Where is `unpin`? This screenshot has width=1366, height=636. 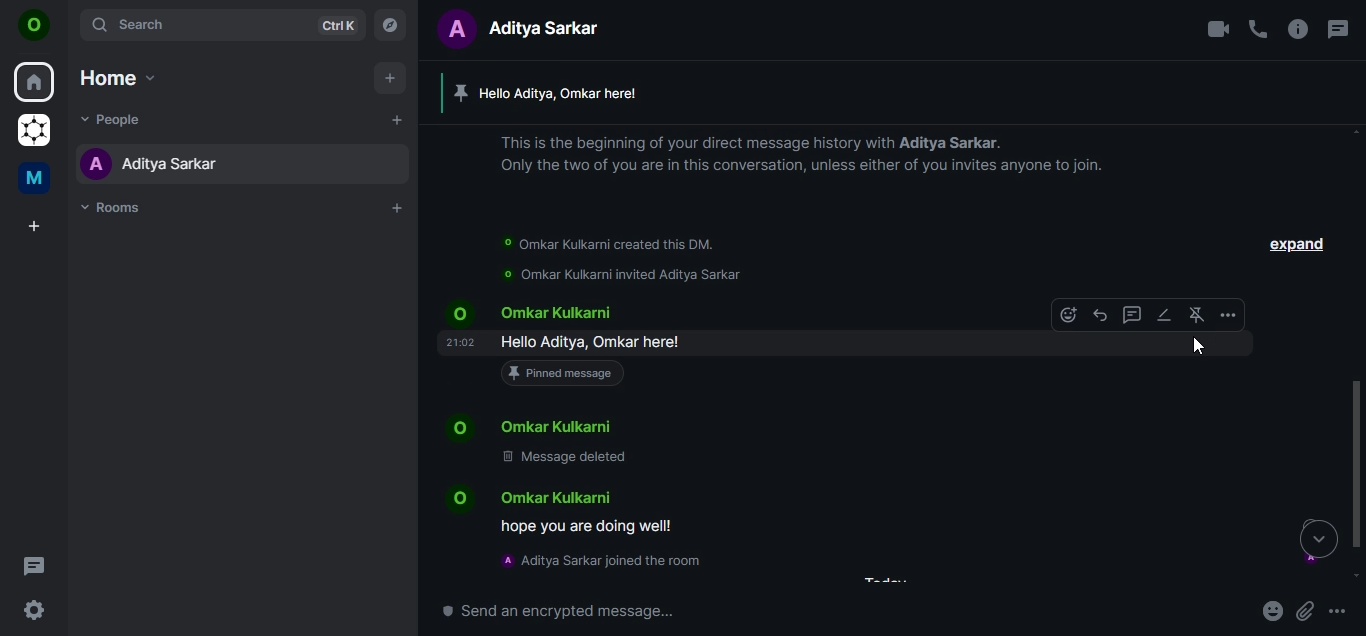
unpin is located at coordinates (1197, 316).